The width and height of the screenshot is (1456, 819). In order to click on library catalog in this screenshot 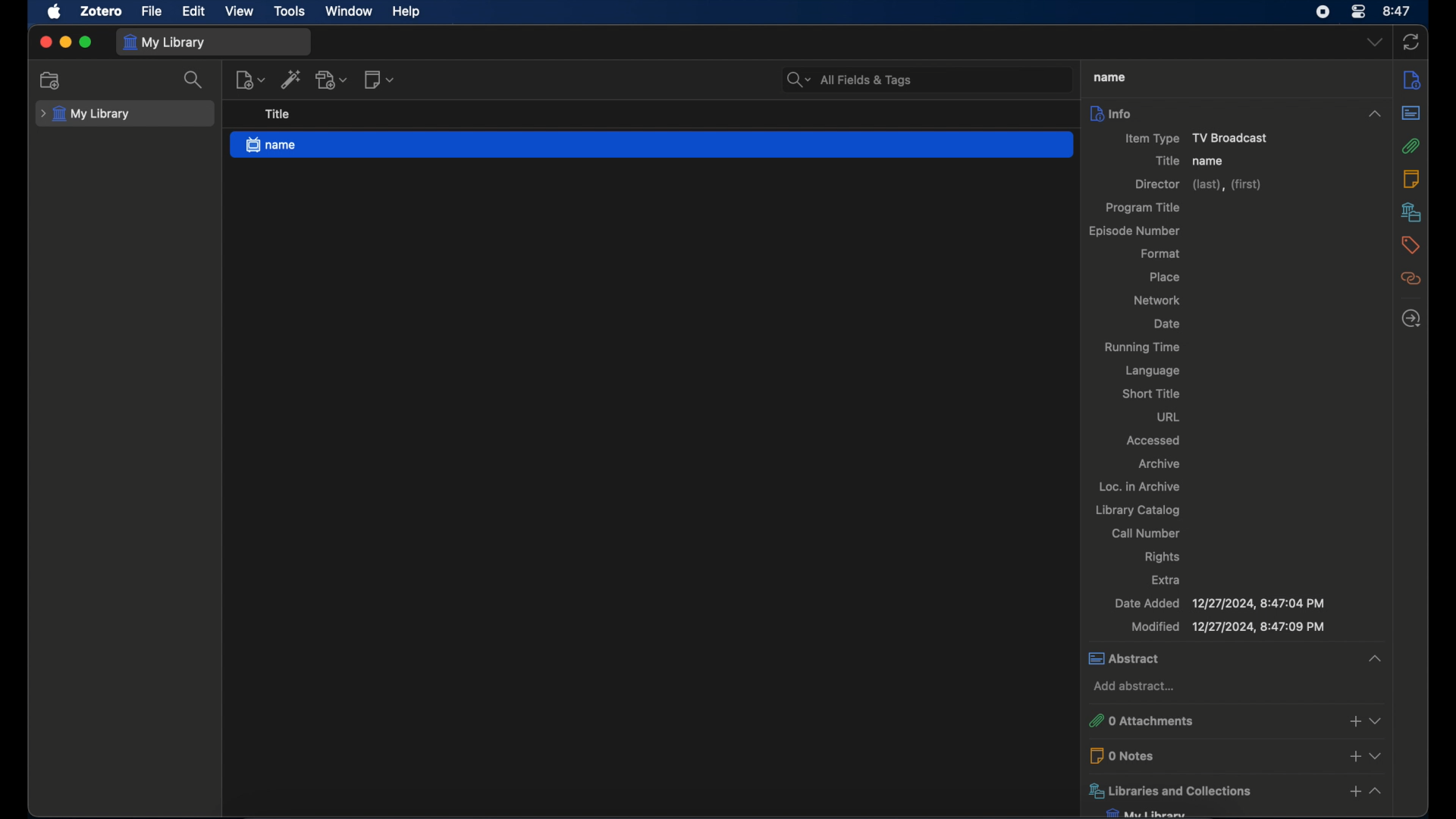, I will do `click(1138, 511)`.